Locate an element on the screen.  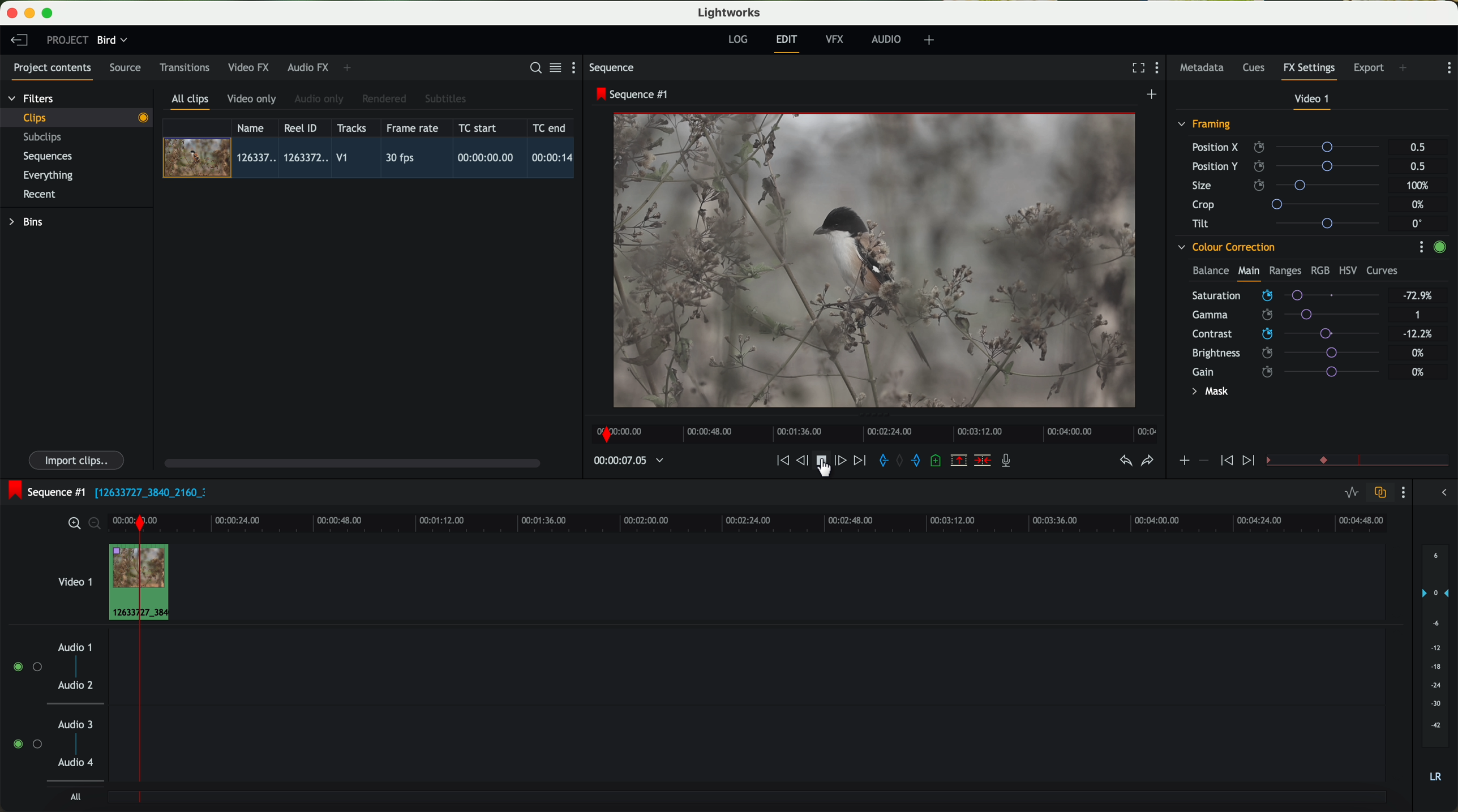
play is located at coordinates (821, 459).